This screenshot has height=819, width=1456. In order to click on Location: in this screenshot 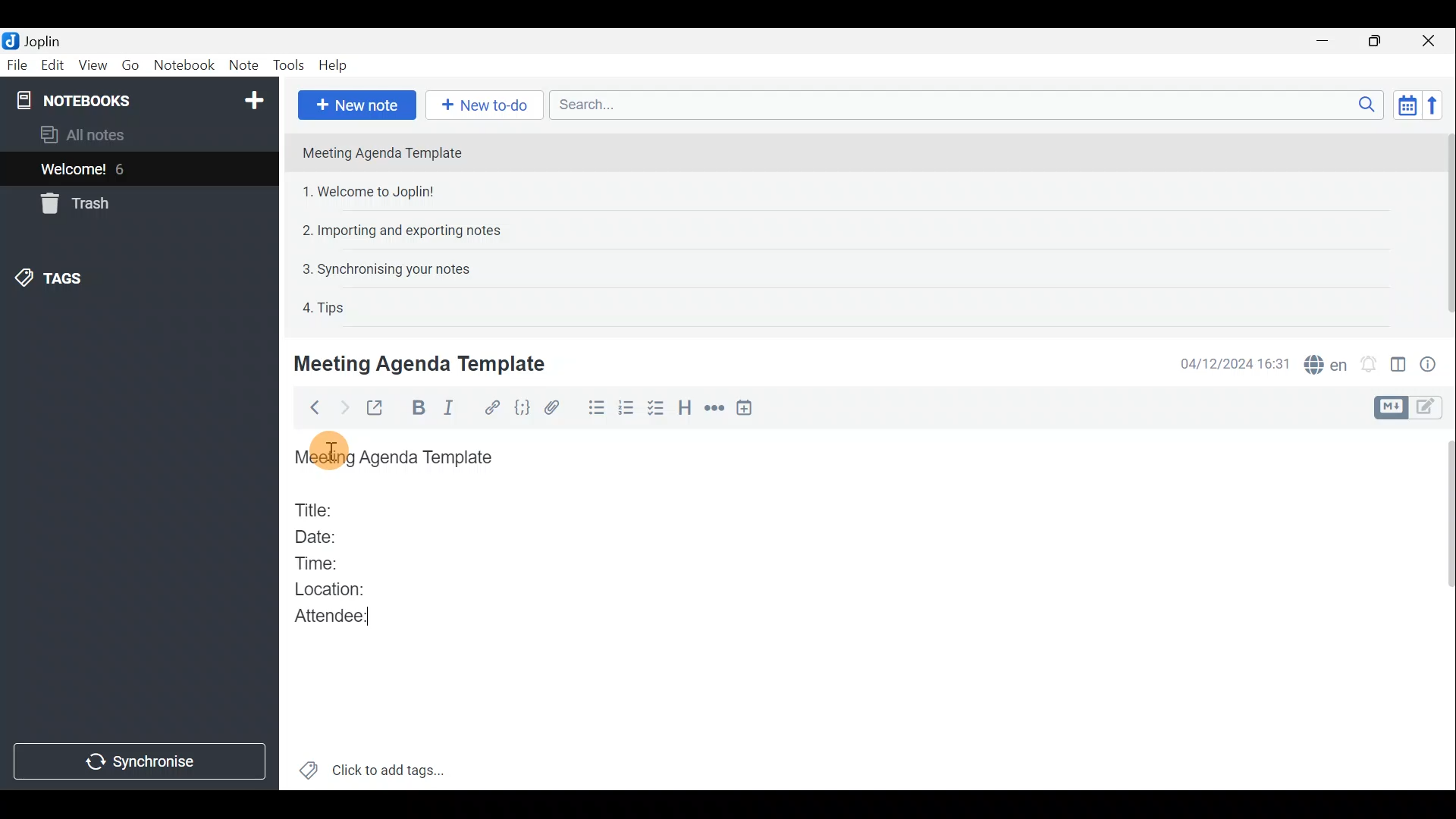, I will do `click(335, 590)`.